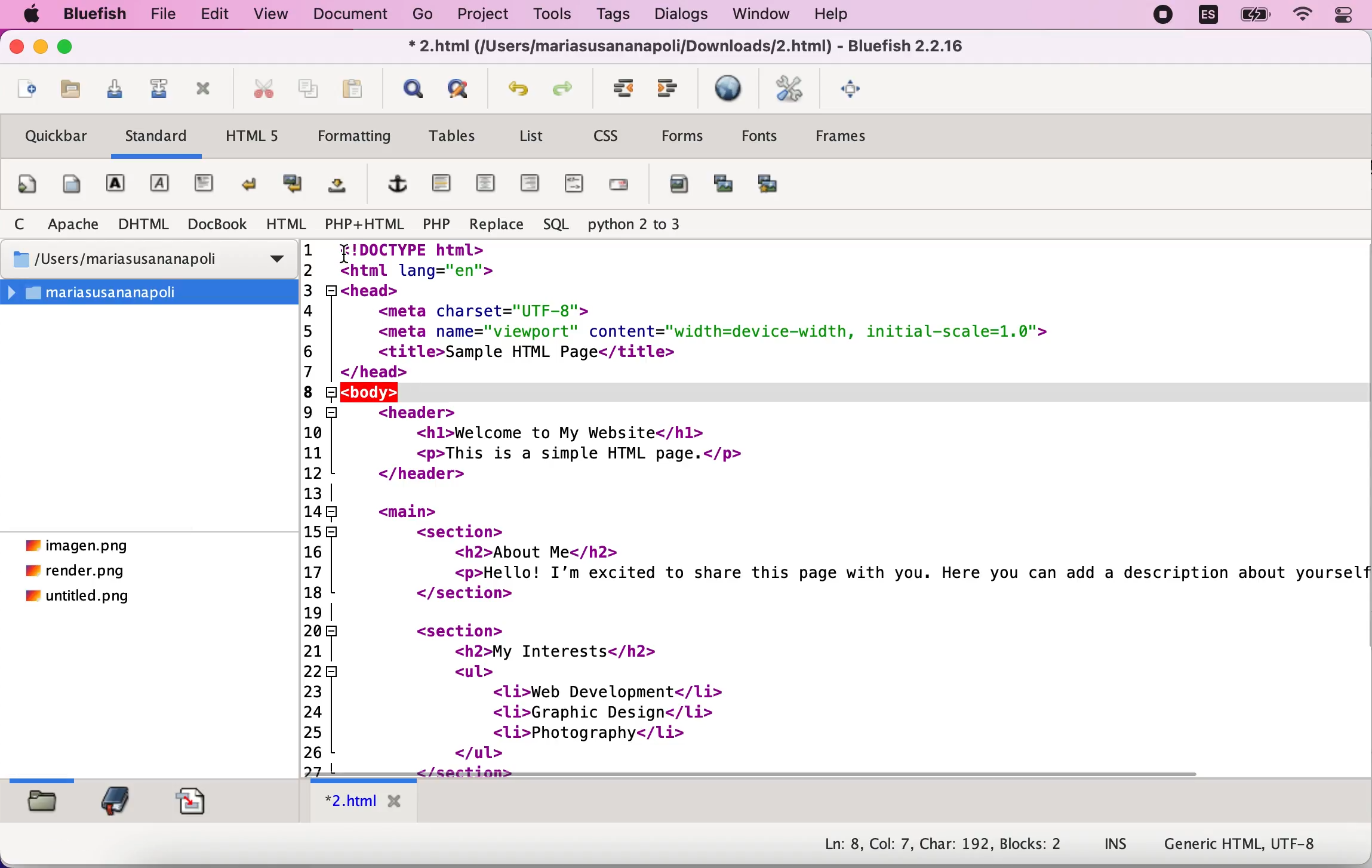 This screenshot has width=1372, height=868. Describe the element at coordinates (151, 260) in the screenshot. I see `/Users/mariasusananapoli` at that location.